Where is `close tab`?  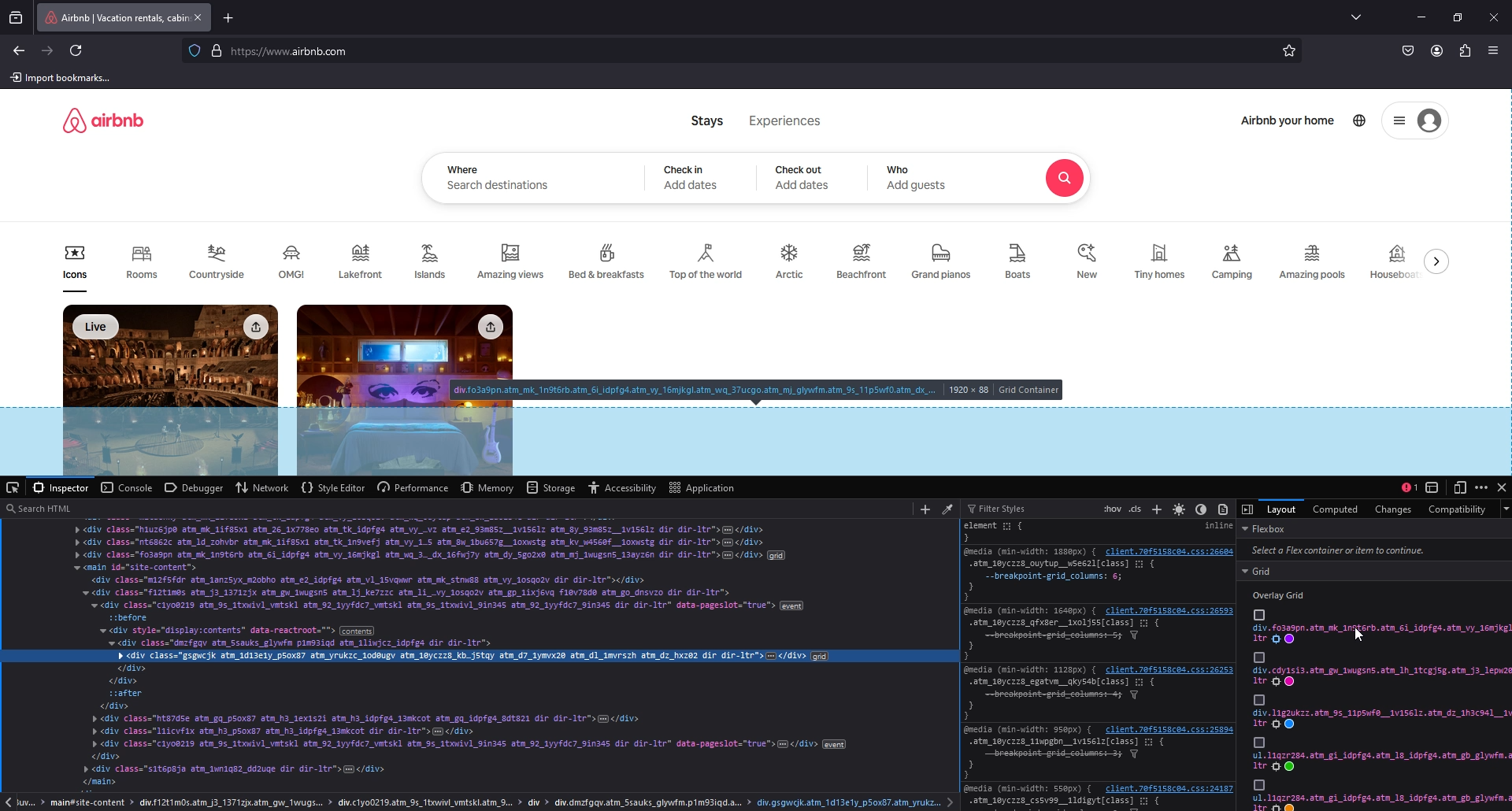 close tab is located at coordinates (198, 17).